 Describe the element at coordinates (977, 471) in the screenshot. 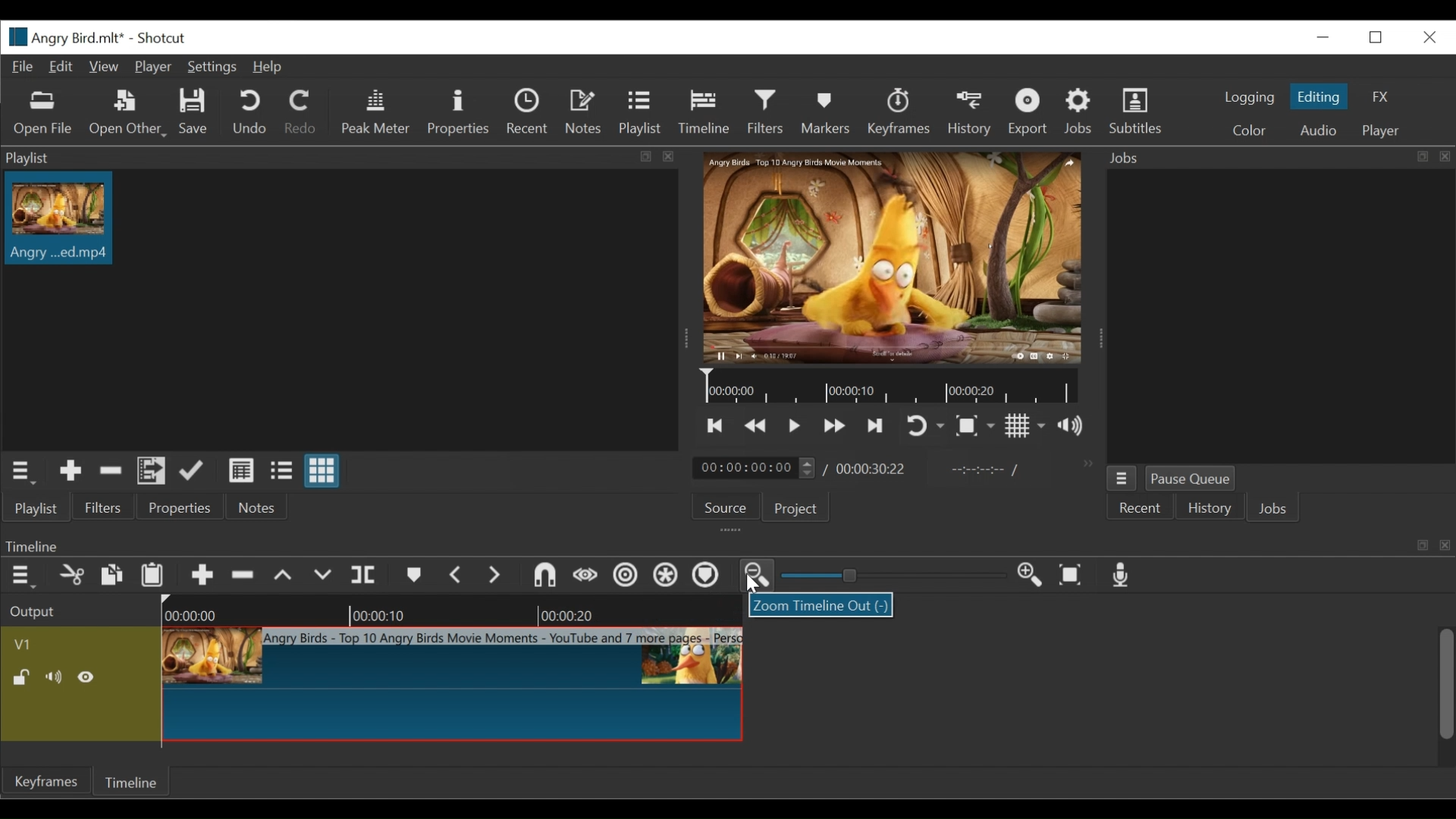

I see `In point` at that location.